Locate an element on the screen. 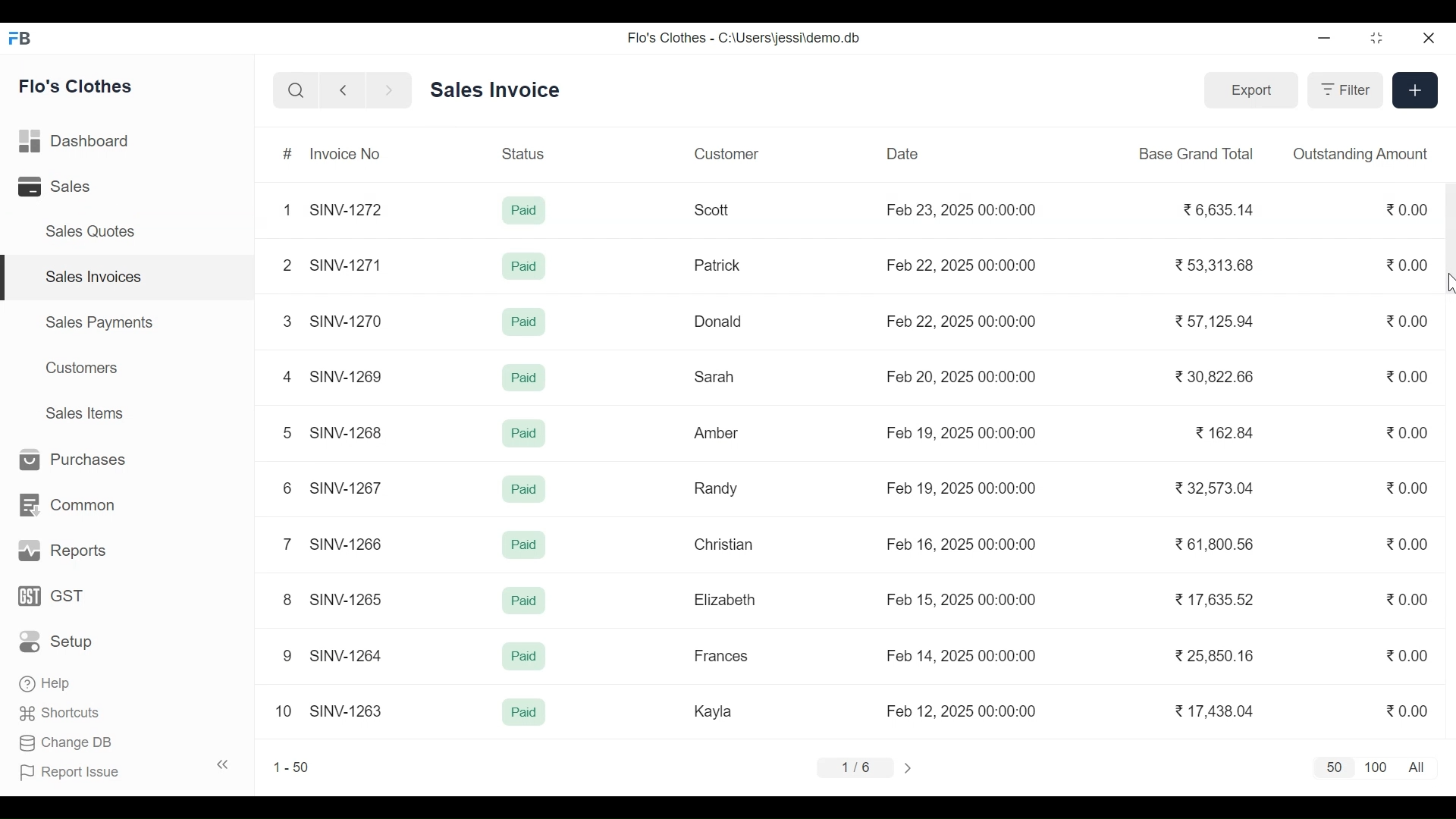 The height and width of the screenshot is (819, 1456). Amber is located at coordinates (717, 434).